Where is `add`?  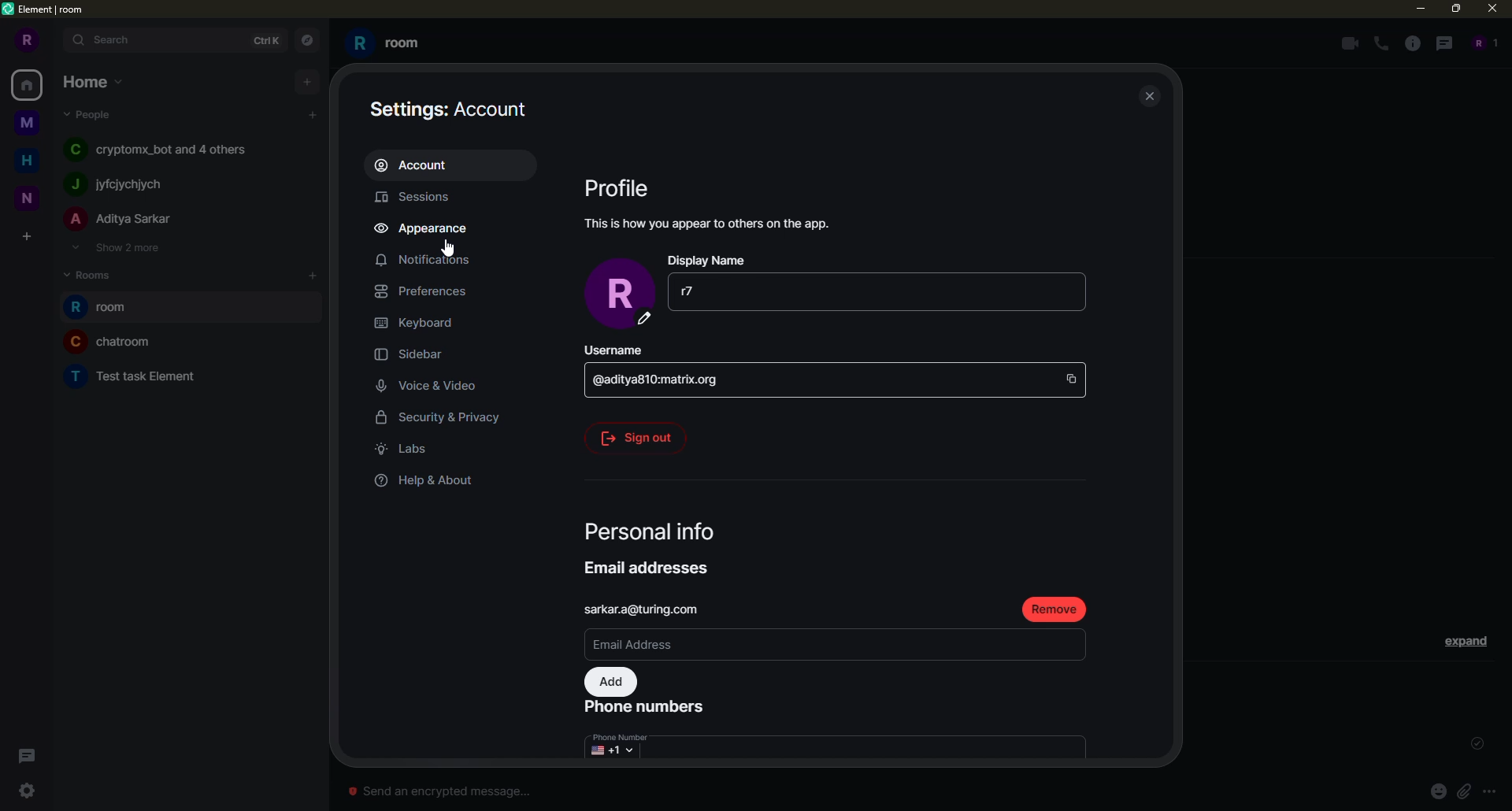
add is located at coordinates (313, 115).